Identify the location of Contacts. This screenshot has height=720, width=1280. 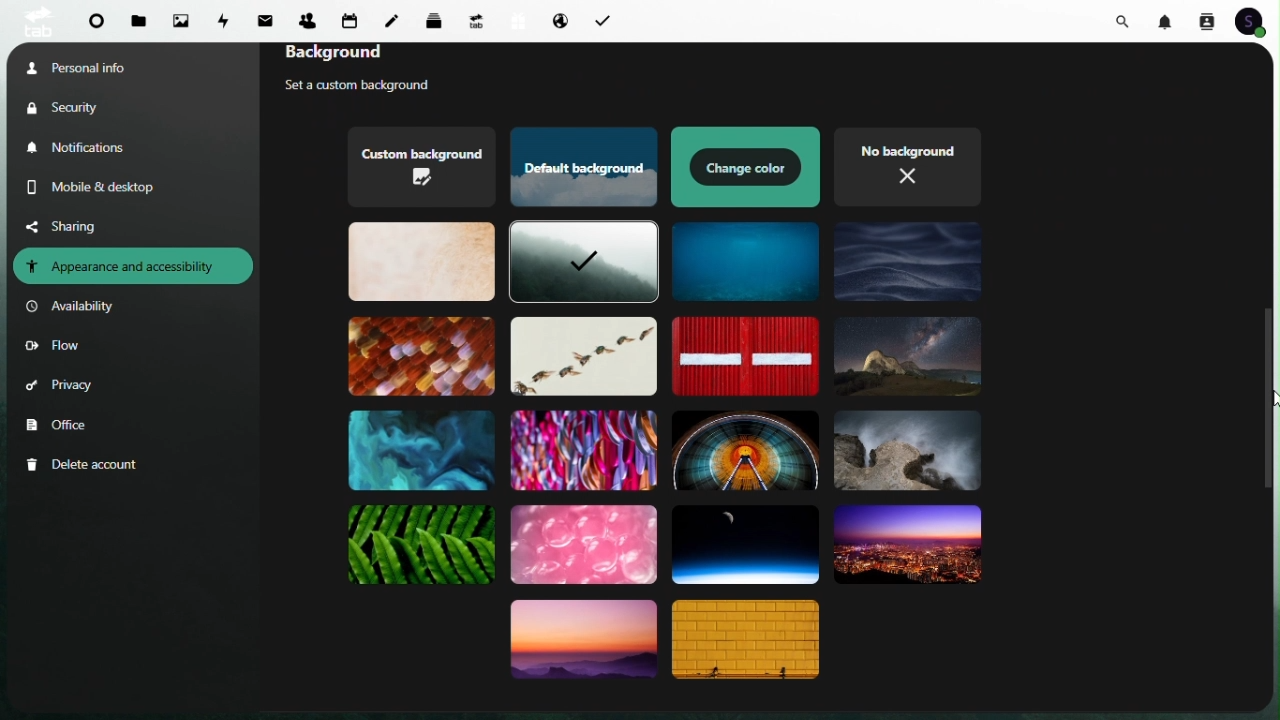
(307, 17).